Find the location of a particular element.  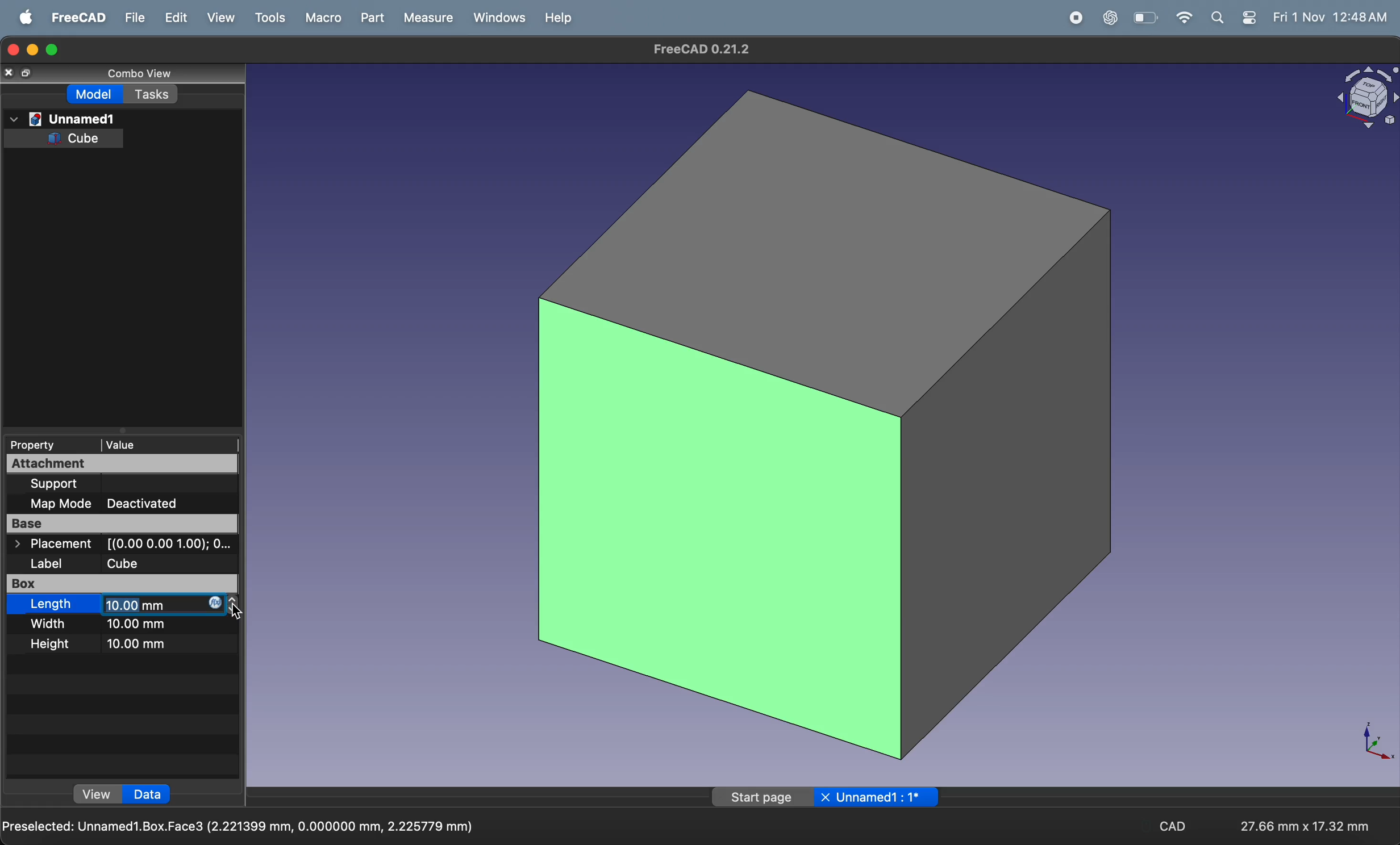

increase or decrease is located at coordinates (236, 605).